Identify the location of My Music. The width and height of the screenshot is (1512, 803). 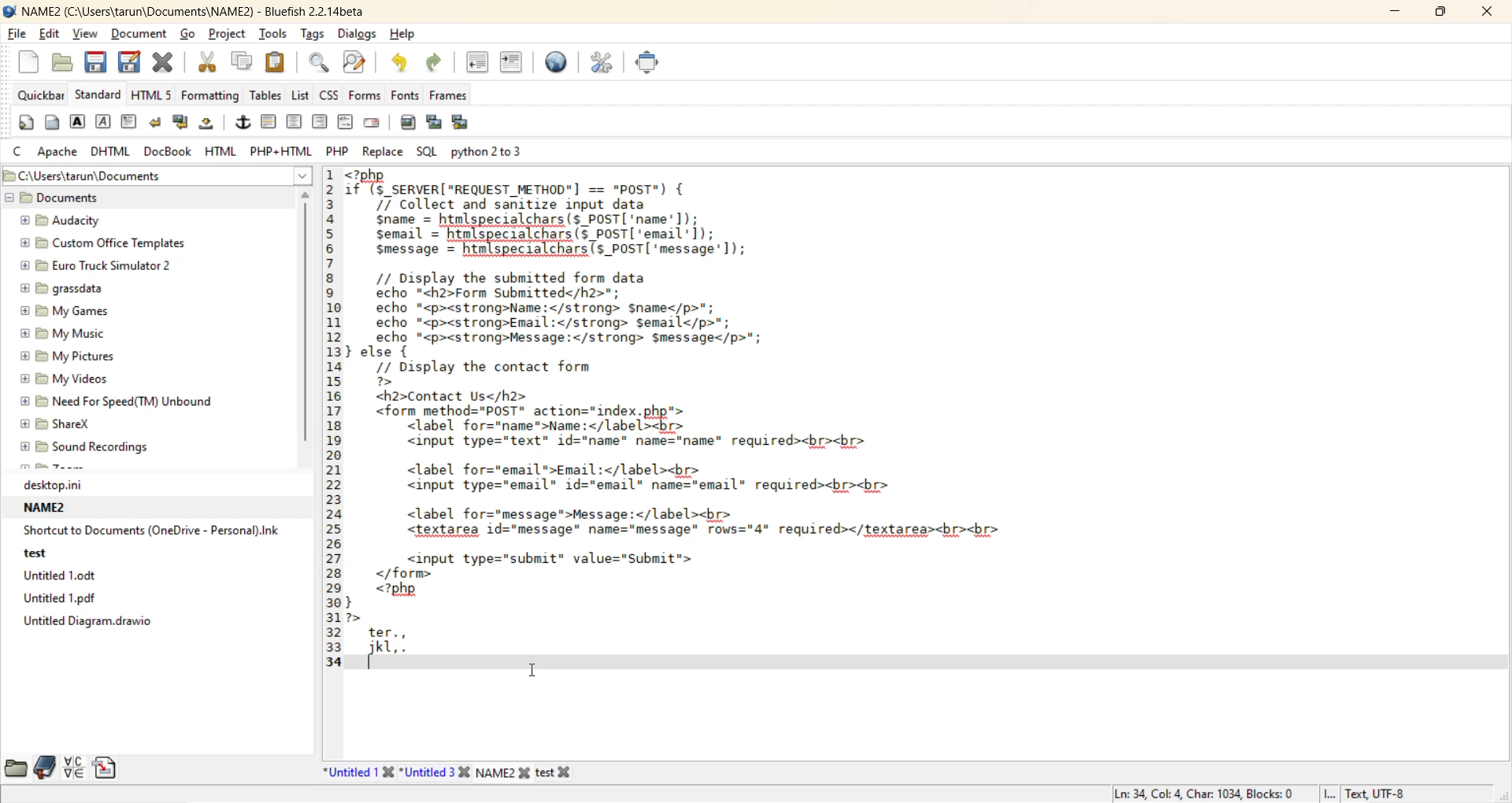
(65, 335).